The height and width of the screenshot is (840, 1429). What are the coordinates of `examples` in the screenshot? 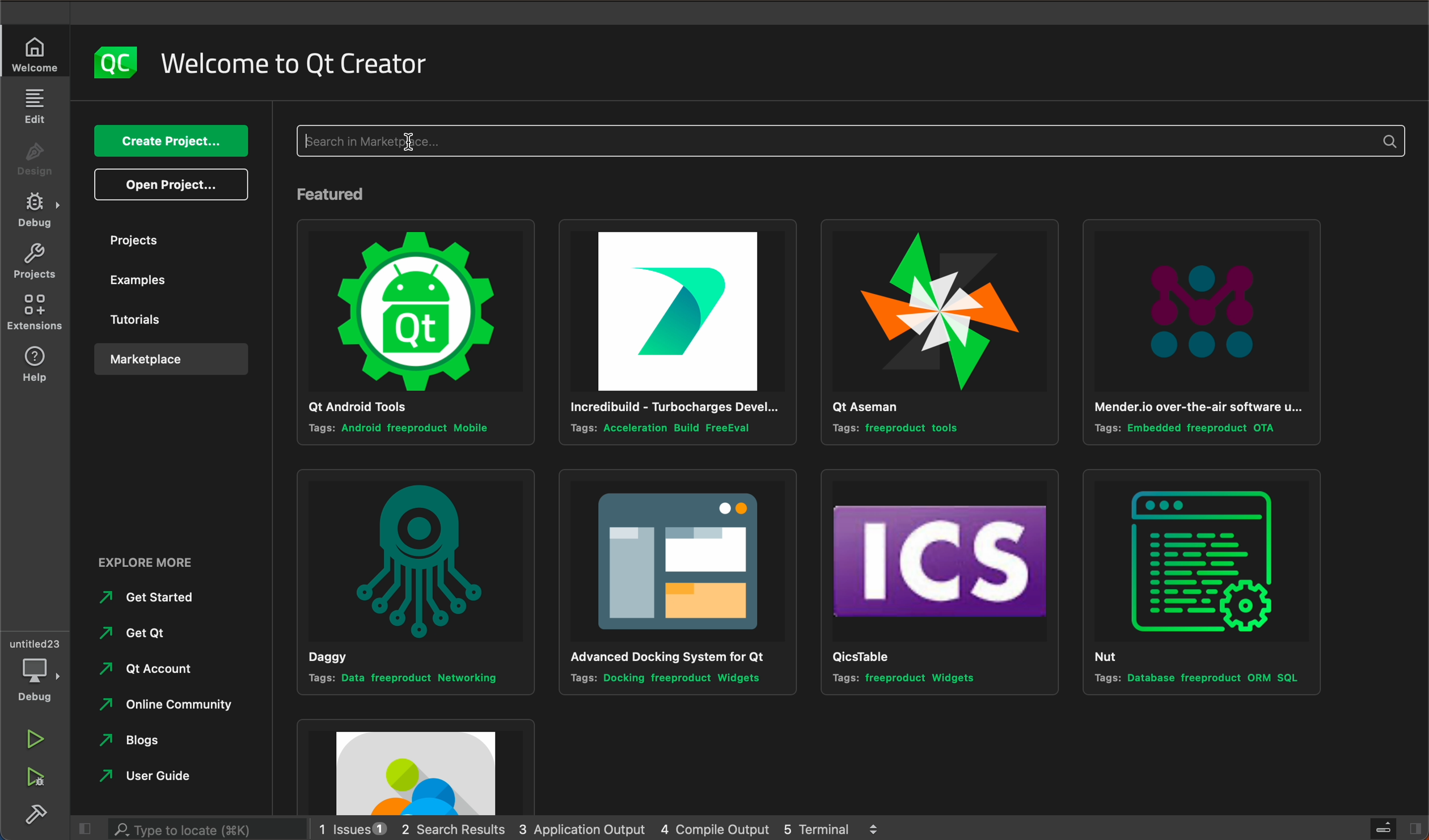 It's located at (164, 285).